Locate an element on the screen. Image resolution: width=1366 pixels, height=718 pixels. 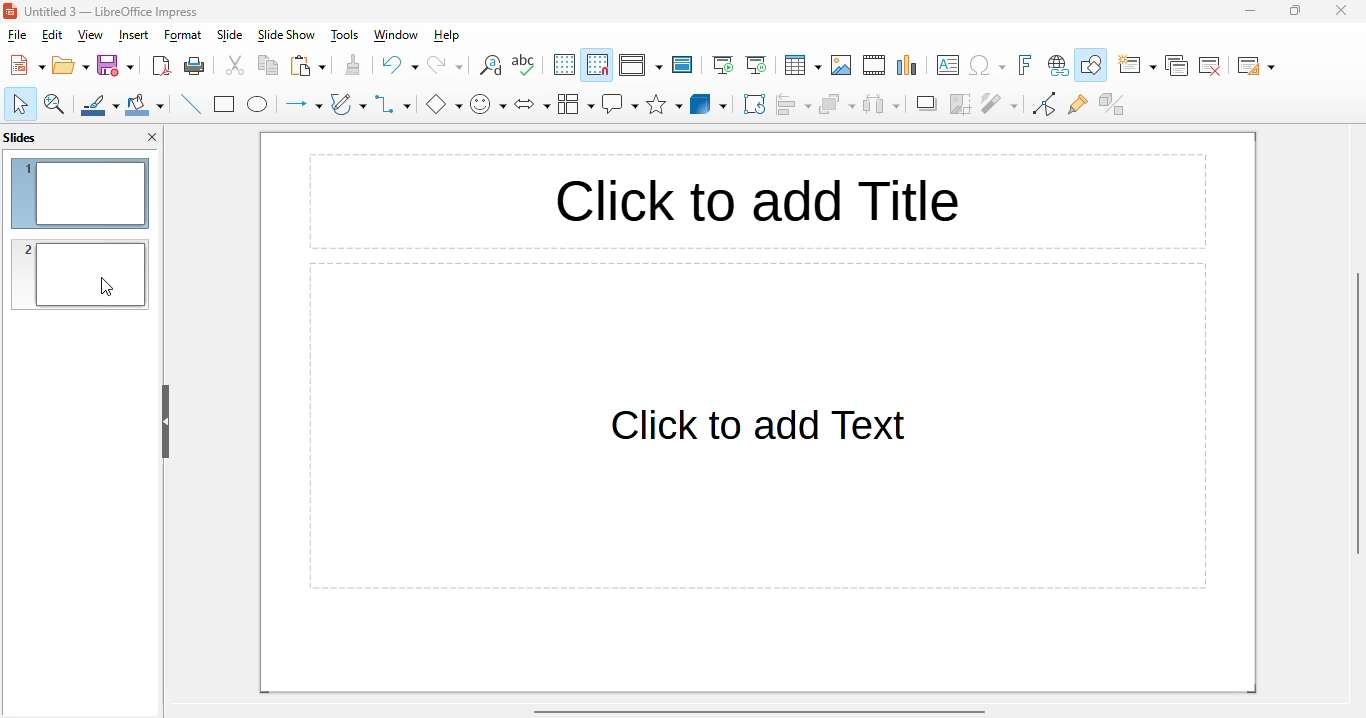
cursor is located at coordinates (107, 286).